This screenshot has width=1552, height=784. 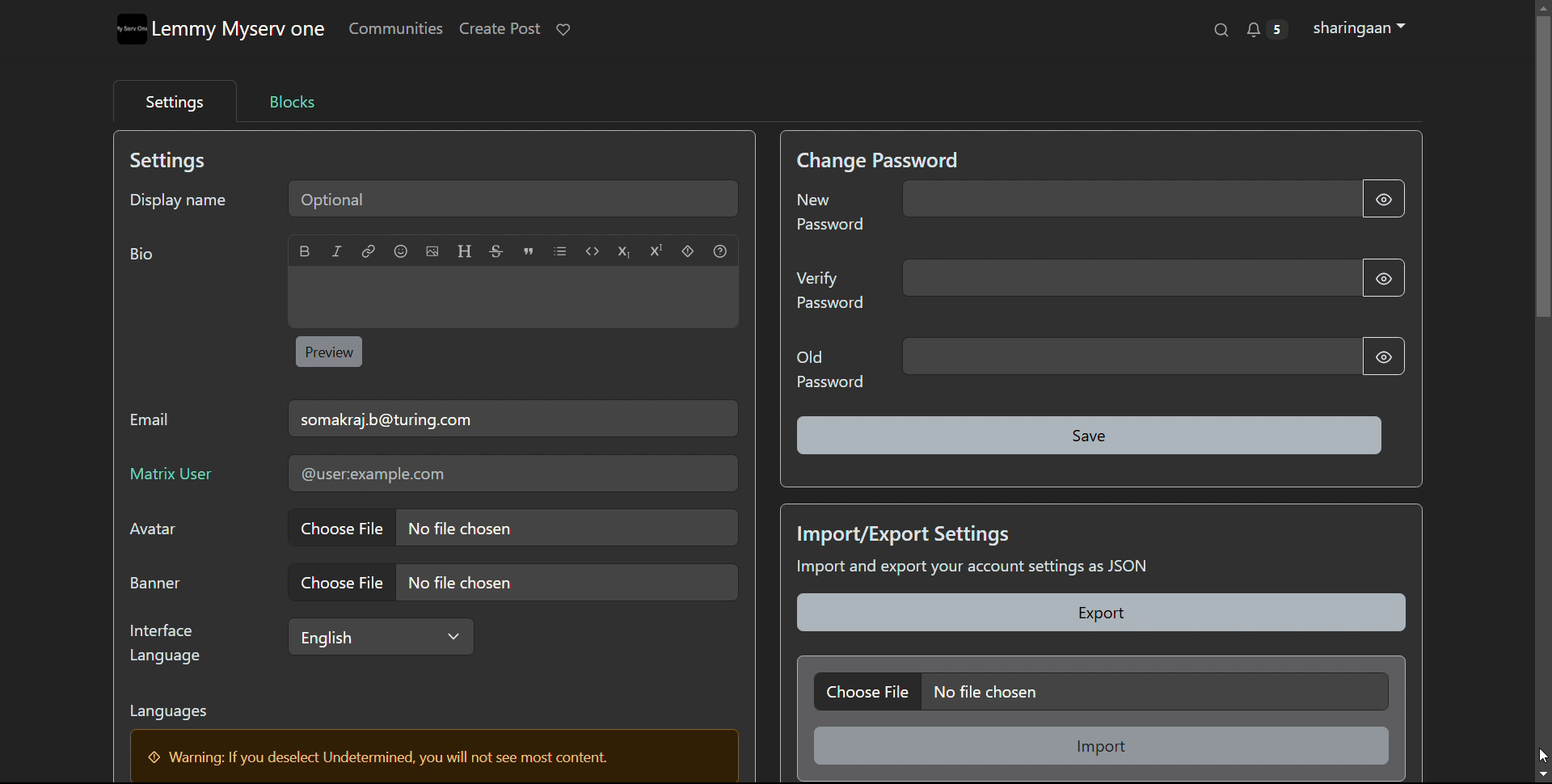 What do you see at coordinates (511, 528) in the screenshot?
I see `upload image for avatar` at bounding box center [511, 528].